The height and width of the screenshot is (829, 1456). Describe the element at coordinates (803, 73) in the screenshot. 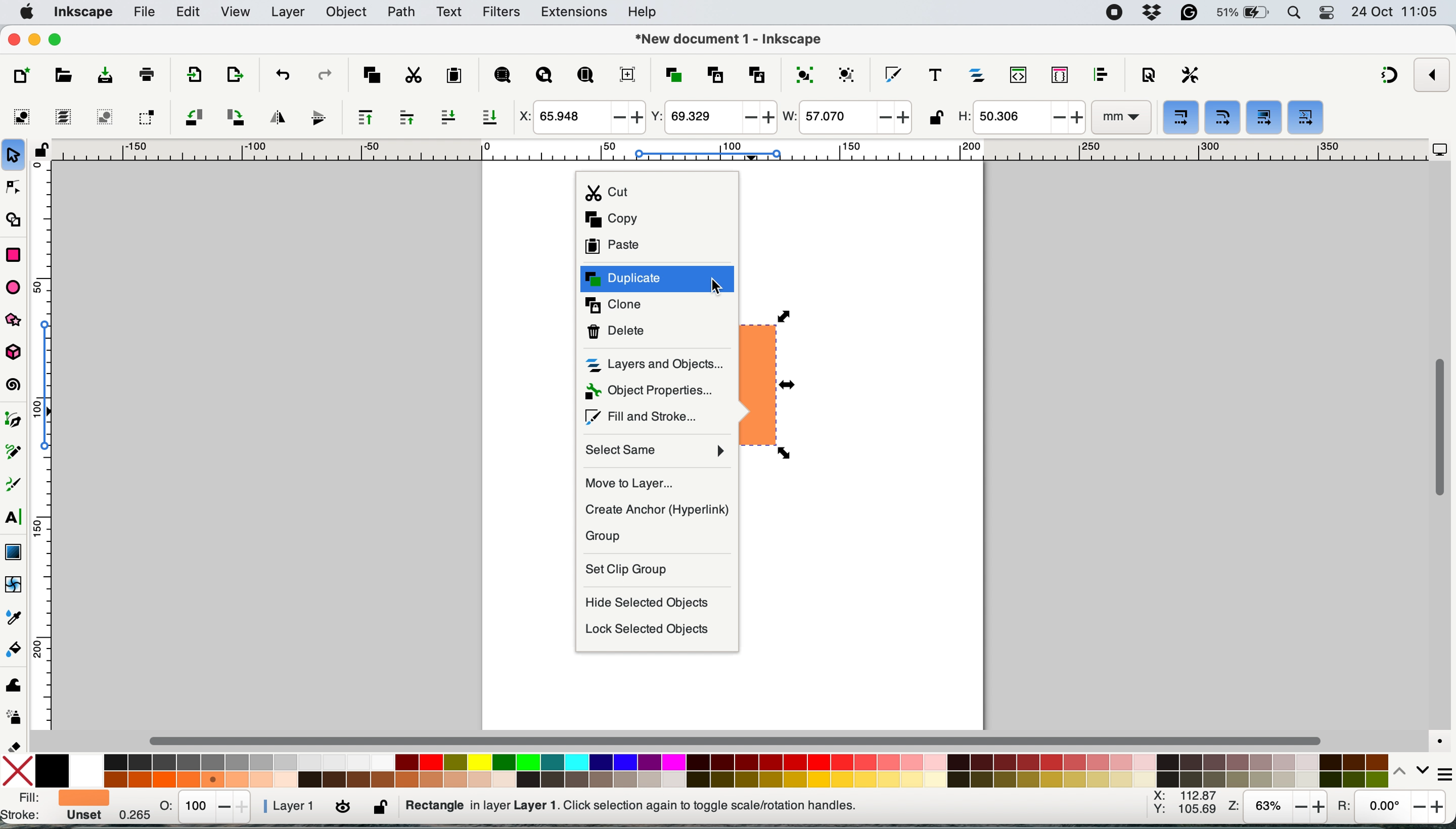

I see `group` at that location.